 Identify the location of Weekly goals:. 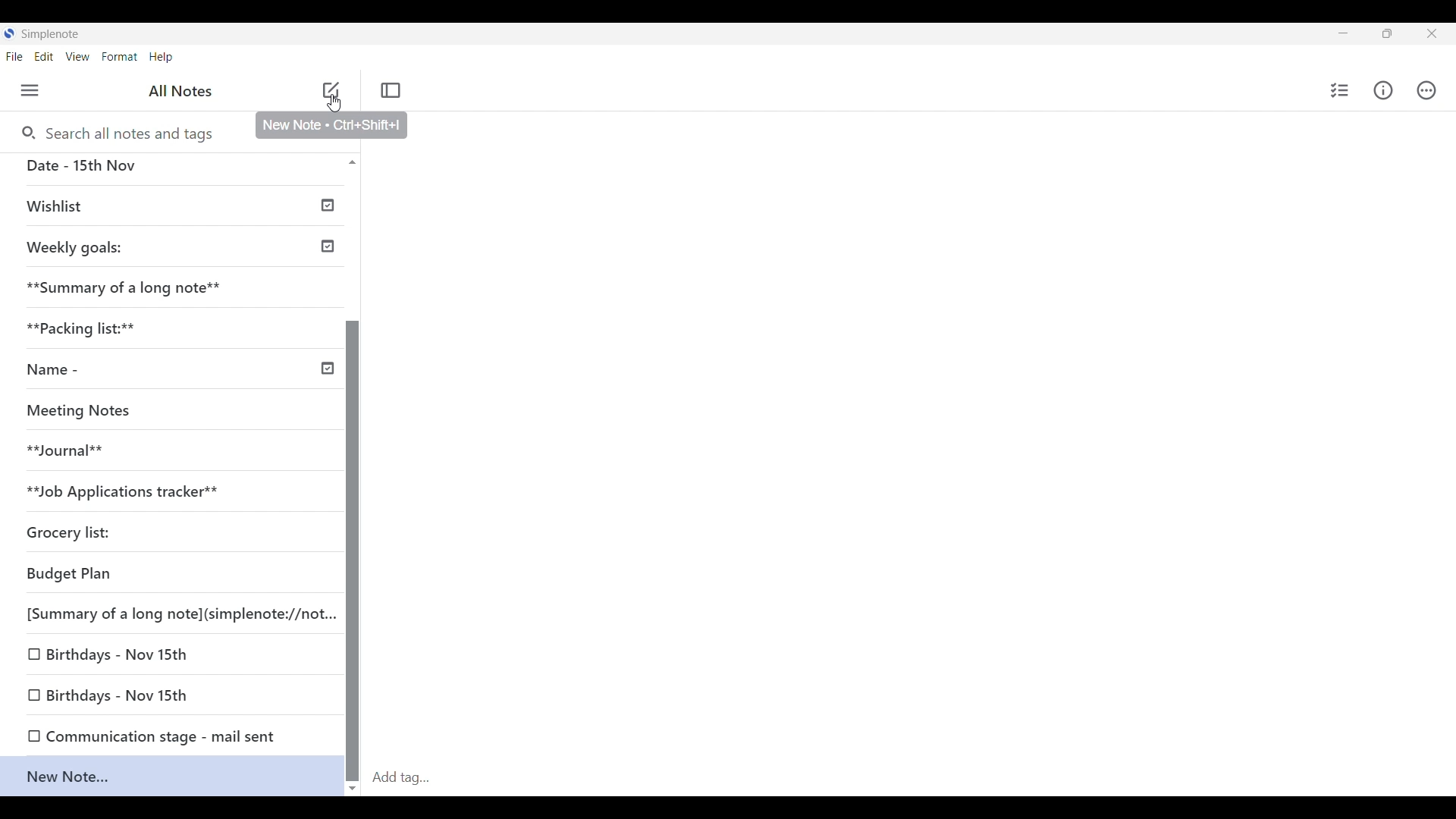
(80, 247).